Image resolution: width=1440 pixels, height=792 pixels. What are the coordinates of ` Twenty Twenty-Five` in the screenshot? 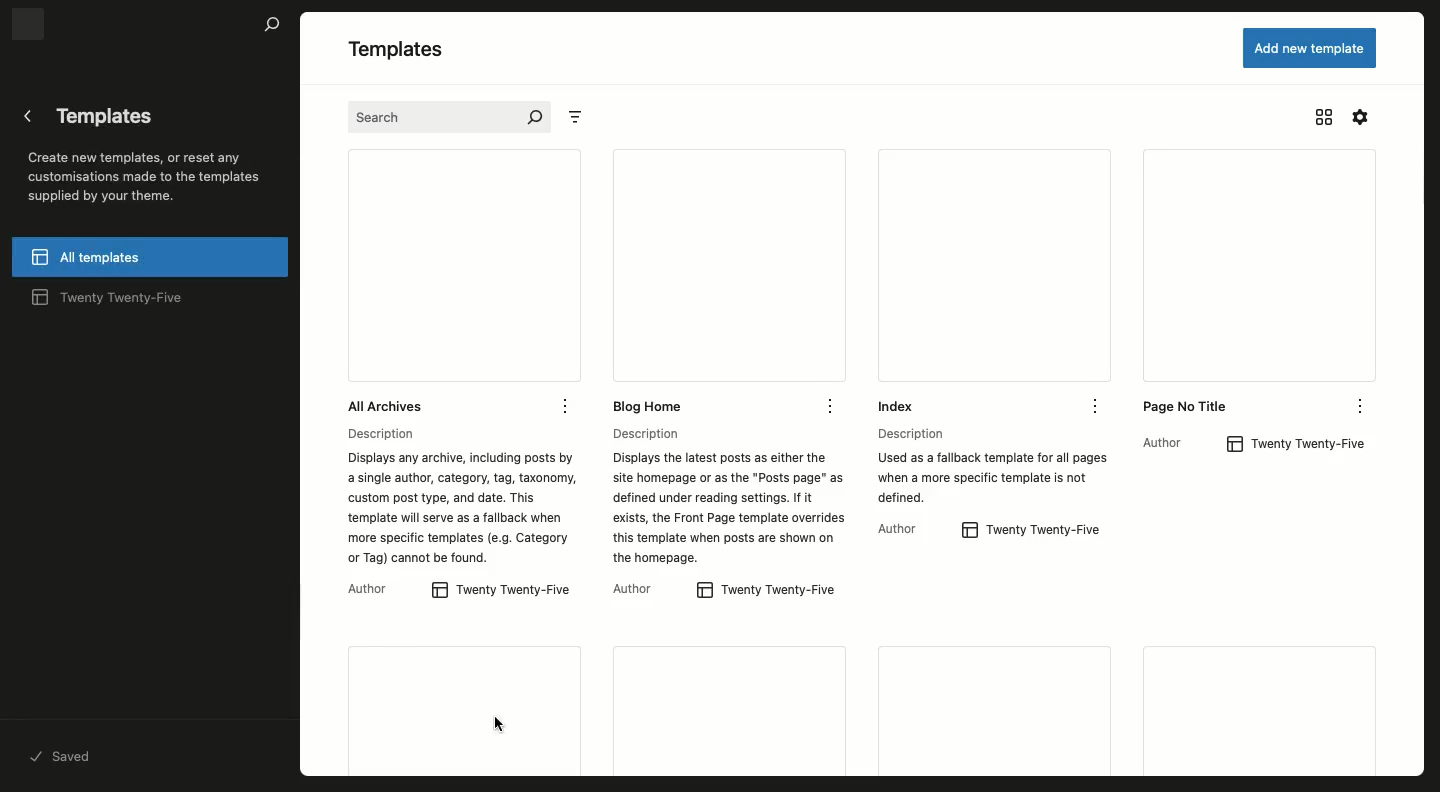 It's located at (785, 591).